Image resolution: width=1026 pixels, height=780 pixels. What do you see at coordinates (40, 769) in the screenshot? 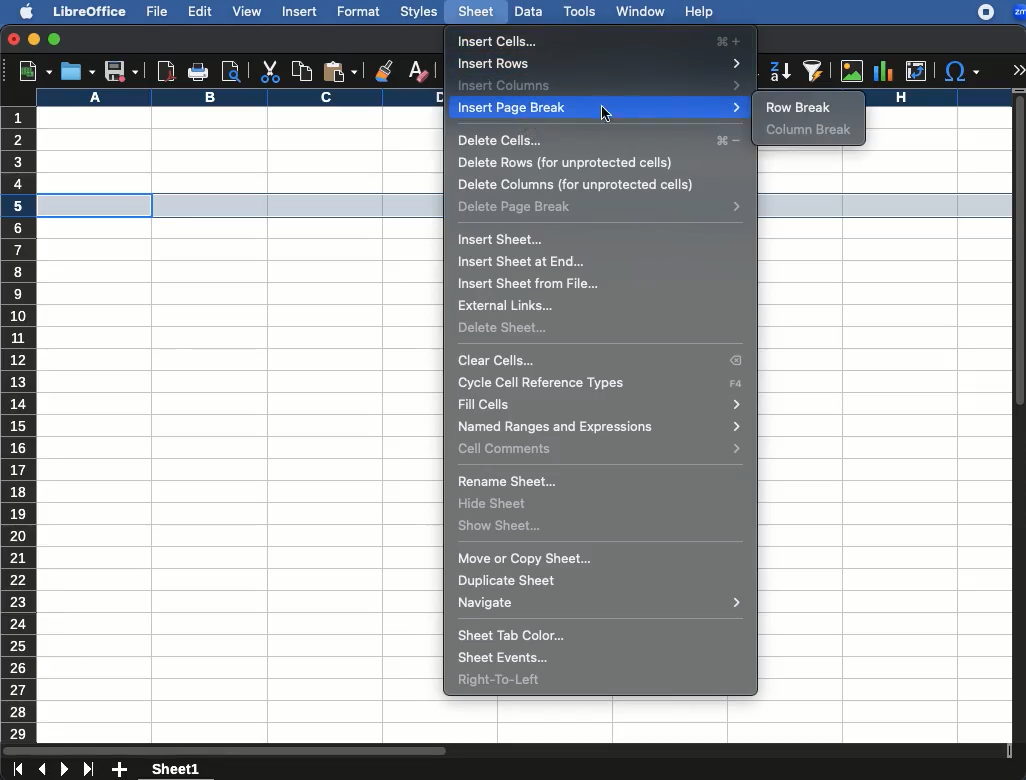
I see `previous sheet` at bounding box center [40, 769].